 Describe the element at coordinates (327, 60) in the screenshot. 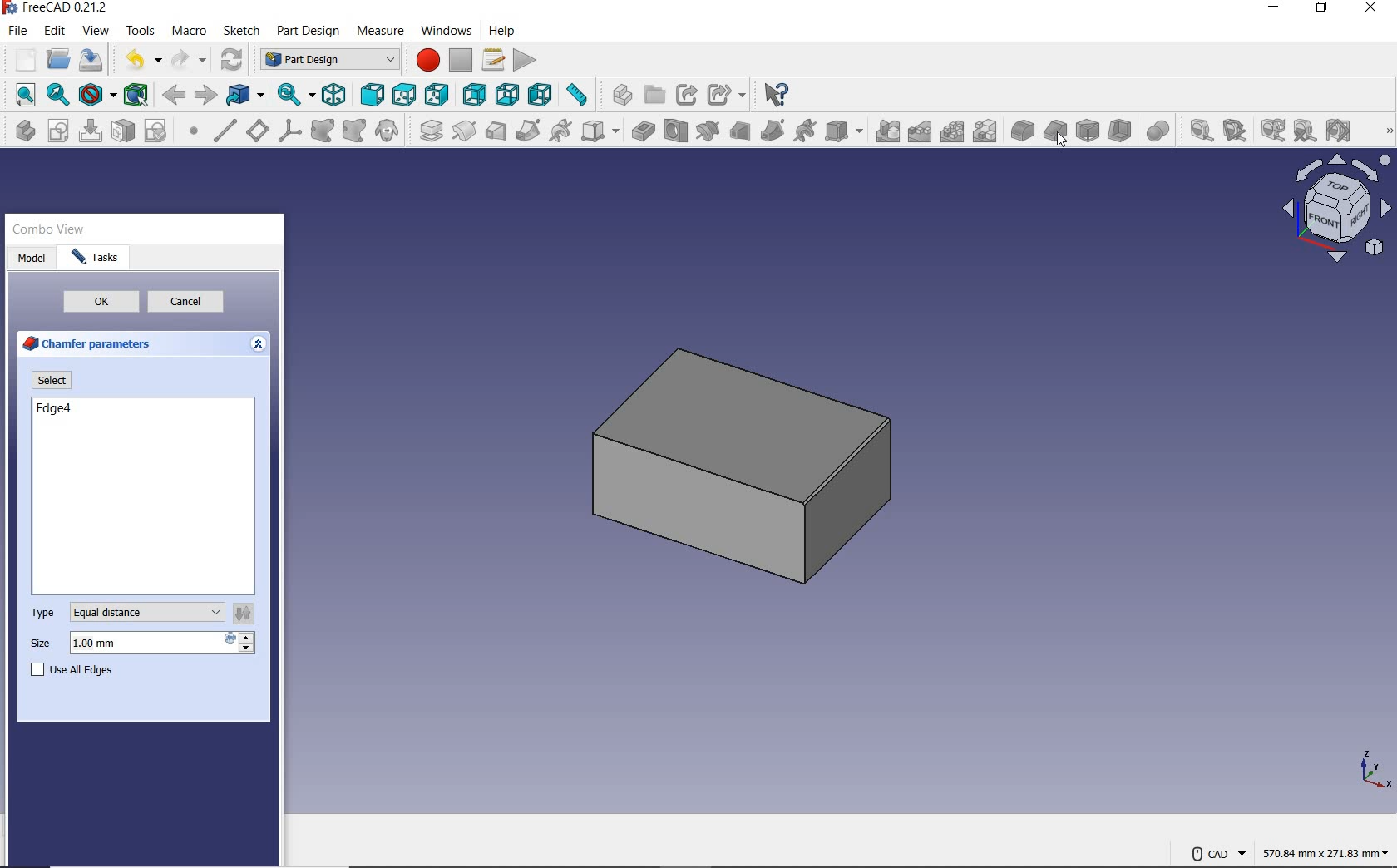

I see `Part Design` at that location.